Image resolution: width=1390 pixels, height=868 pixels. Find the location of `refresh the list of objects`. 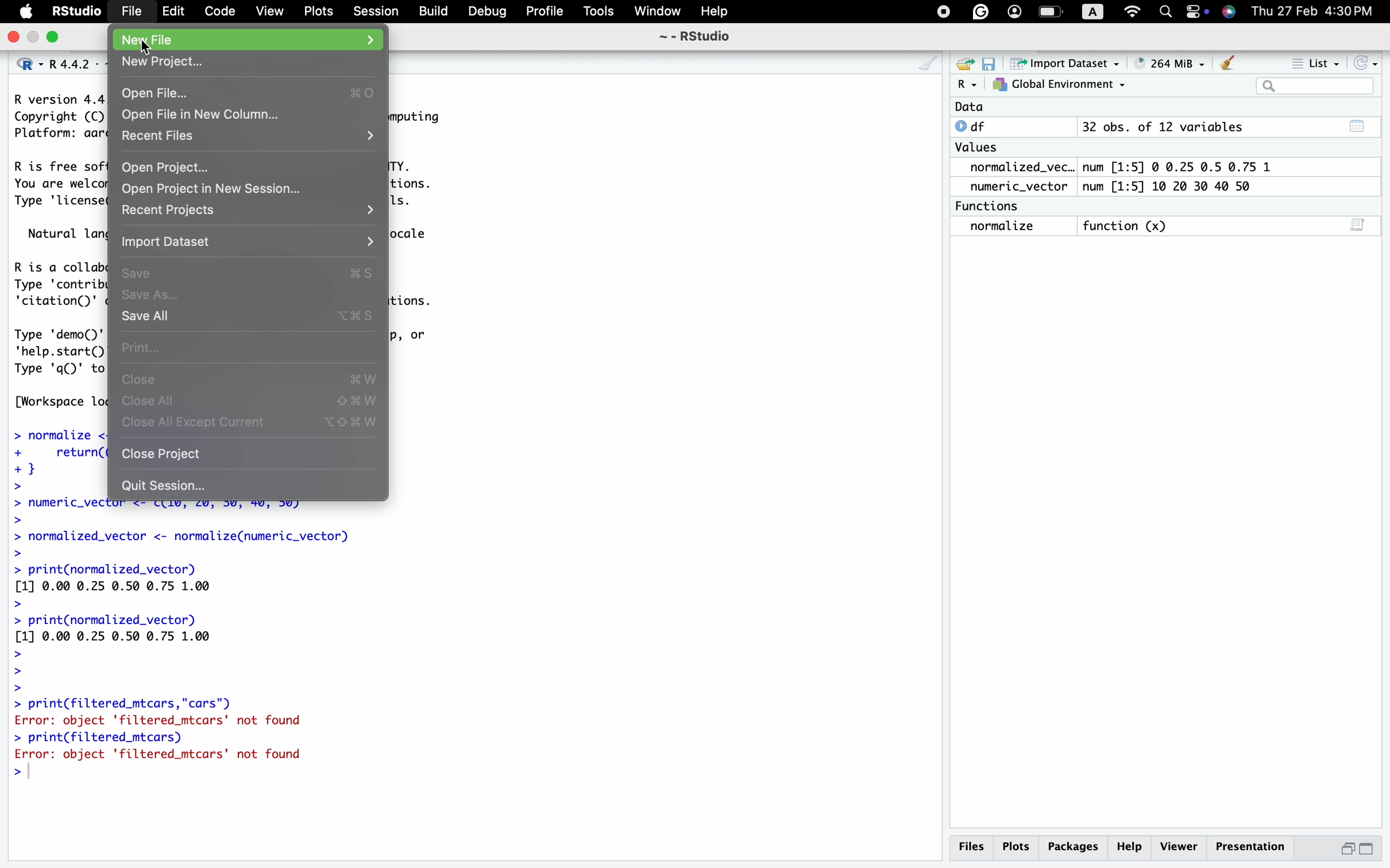

refresh the list of objects is located at coordinates (1370, 61).